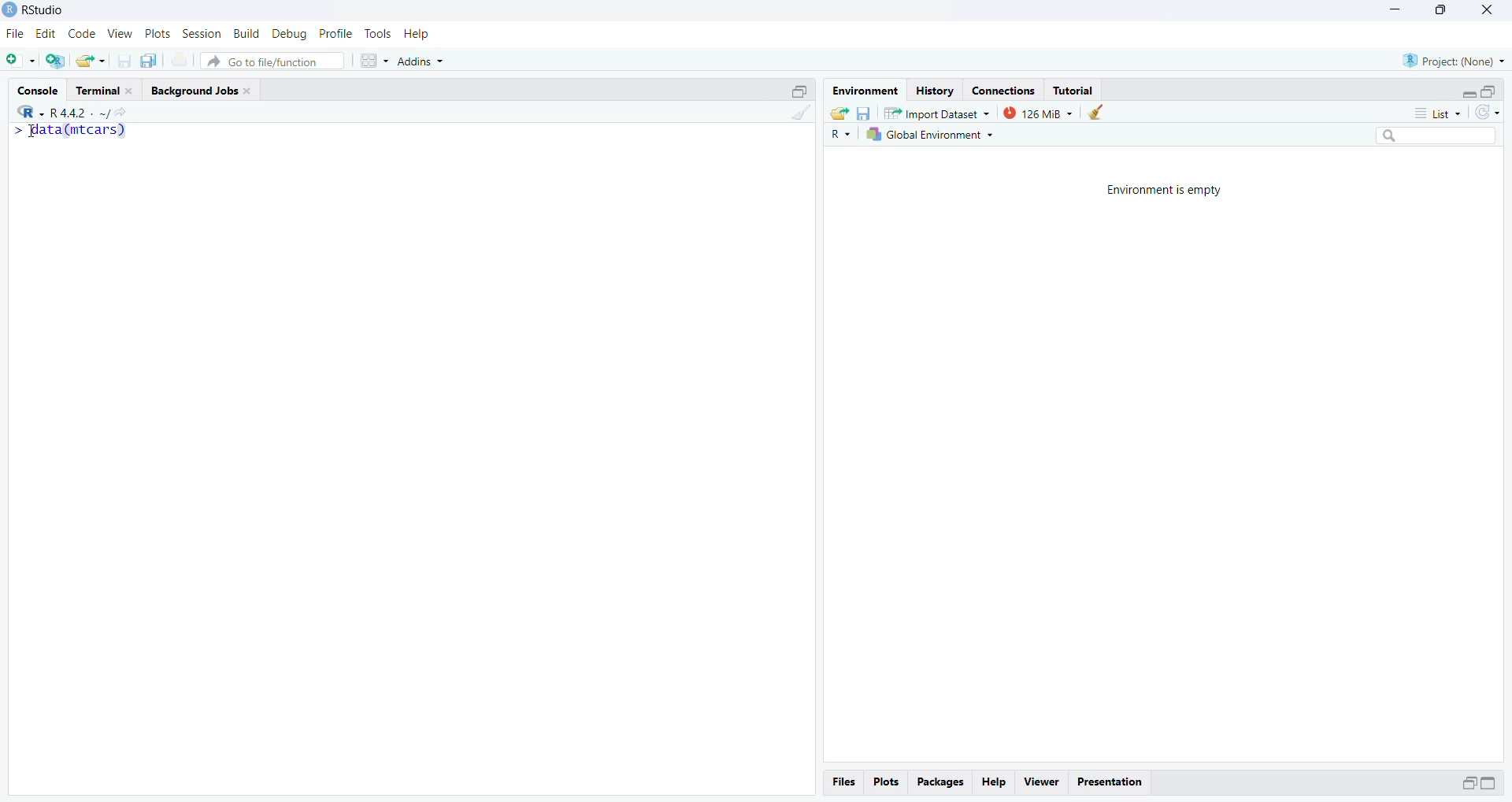  I want to click on packages, so click(939, 783).